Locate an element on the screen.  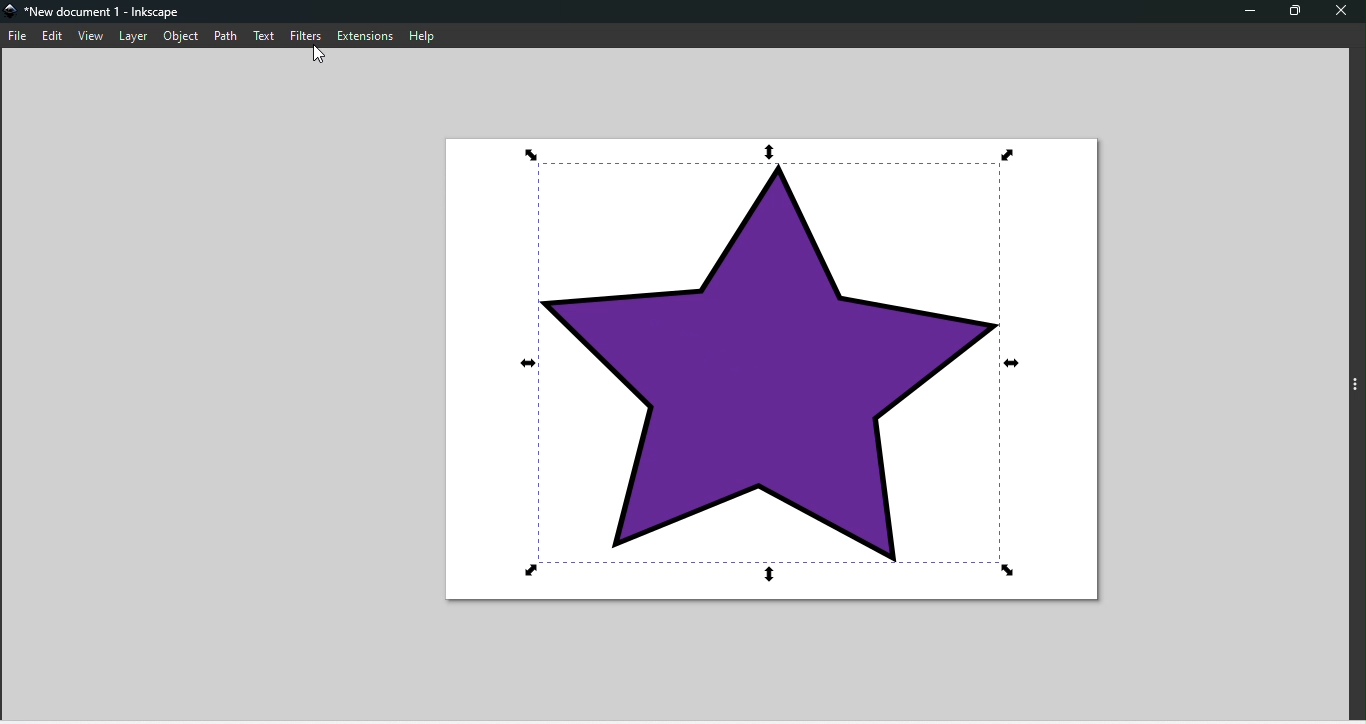
cursor is located at coordinates (320, 52).